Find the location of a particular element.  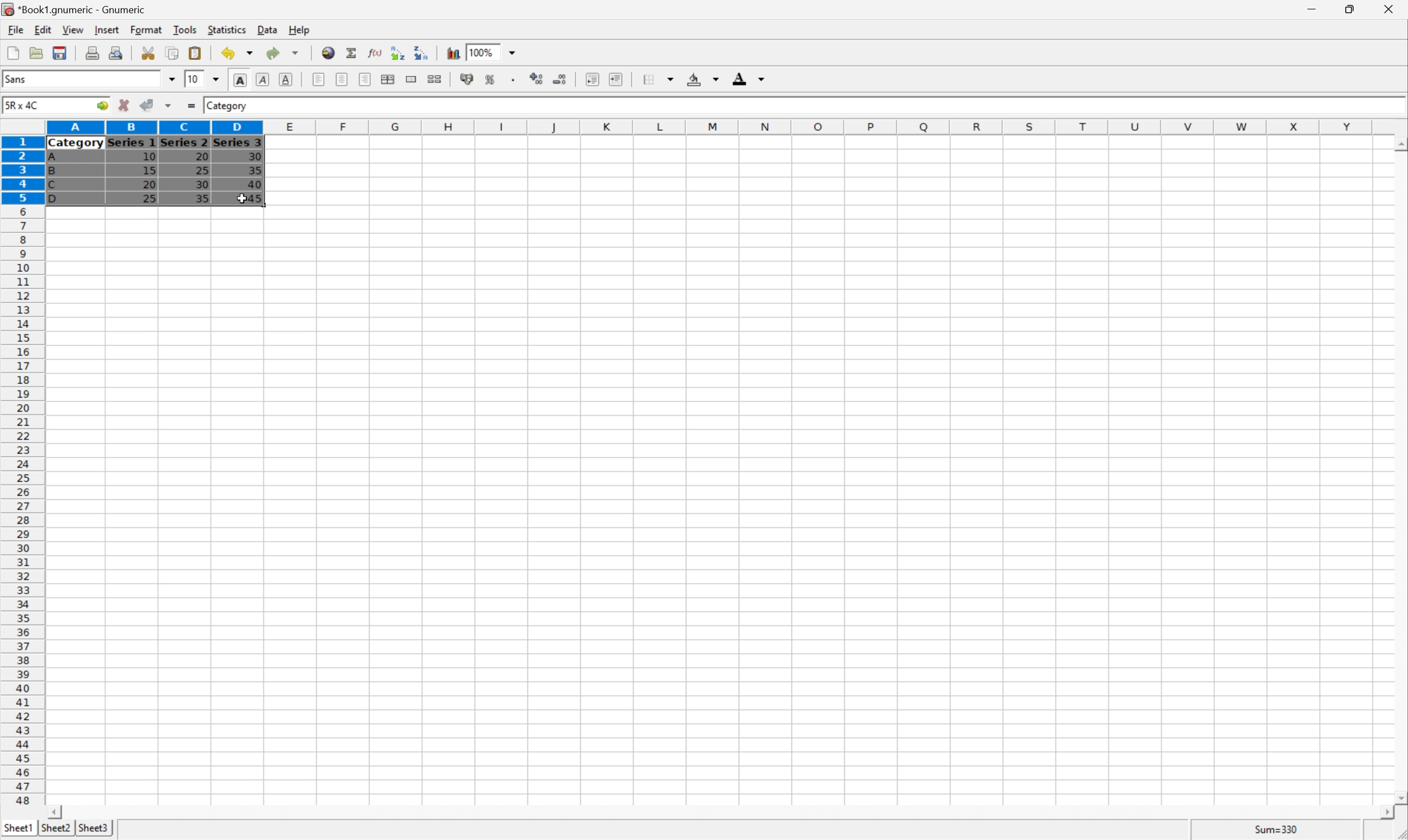

Enter formula is located at coordinates (193, 104).